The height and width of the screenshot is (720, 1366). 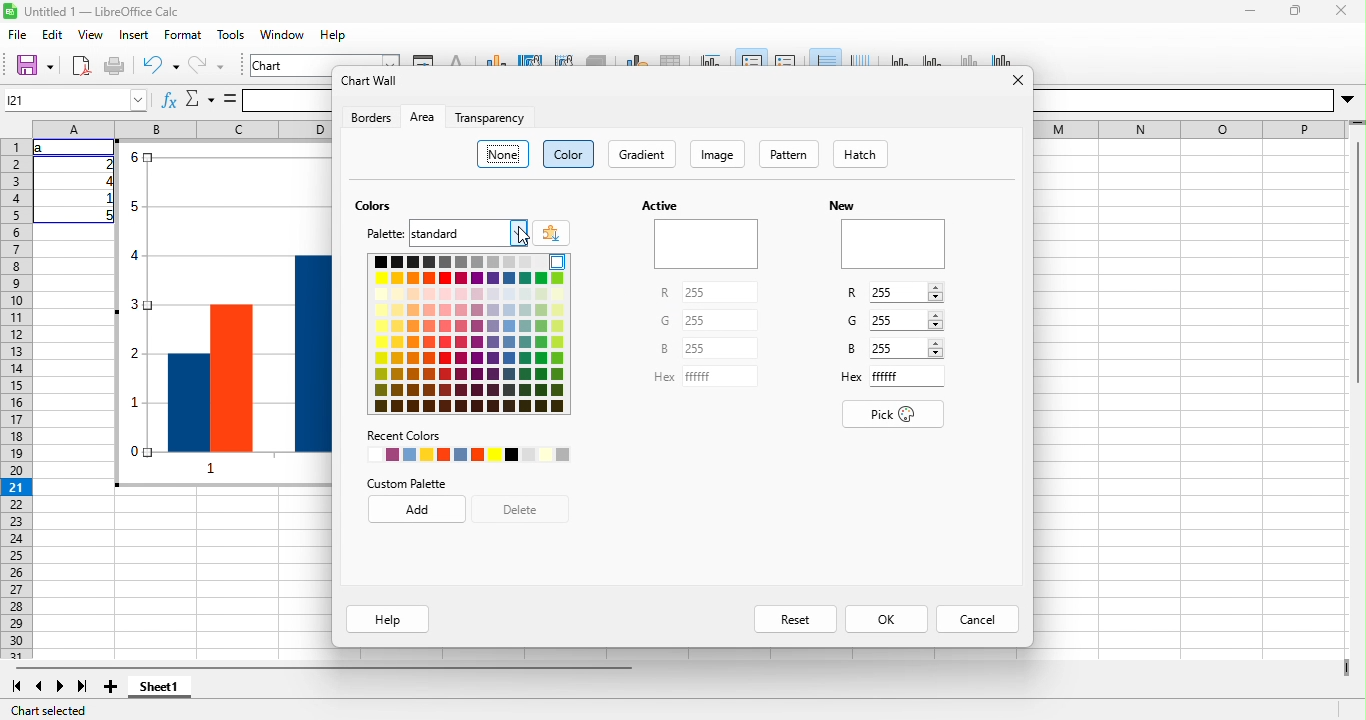 What do you see at coordinates (18, 34) in the screenshot?
I see `file` at bounding box center [18, 34].